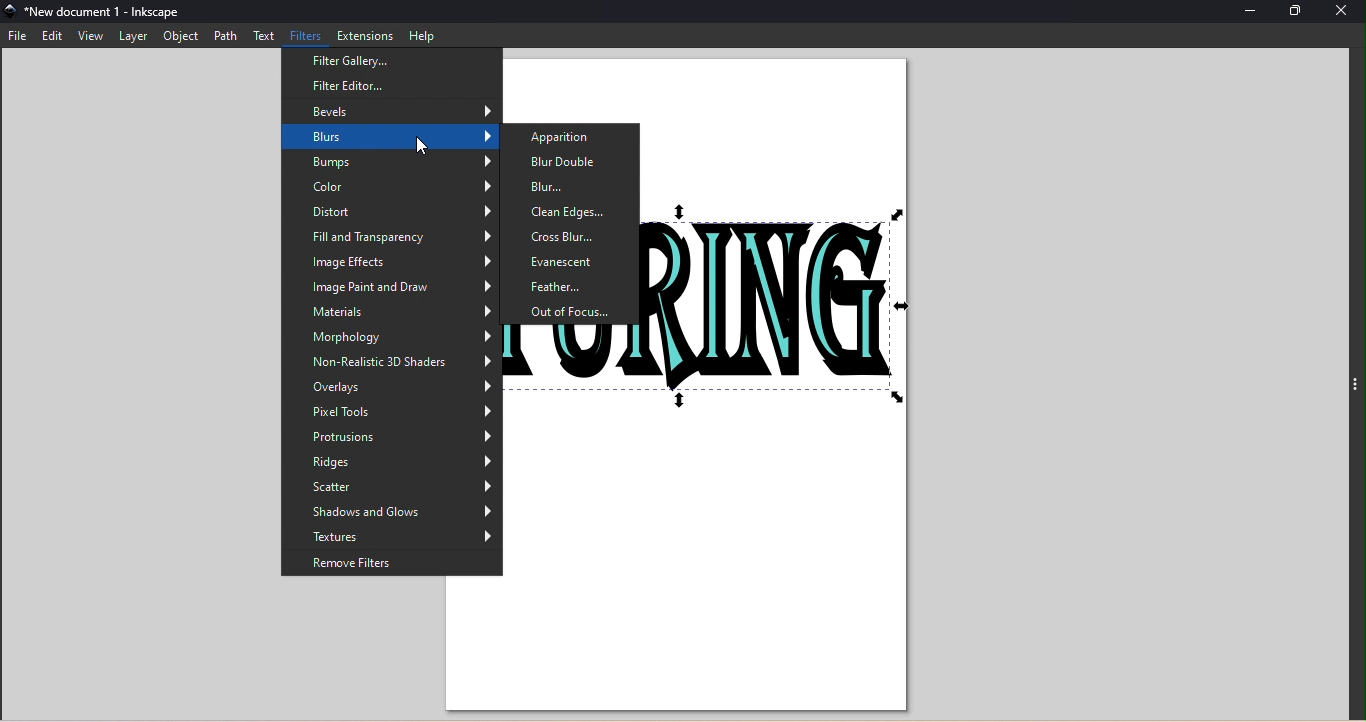  Describe the element at coordinates (573, 187) in the screenshot. I see `Blur...` at that location.